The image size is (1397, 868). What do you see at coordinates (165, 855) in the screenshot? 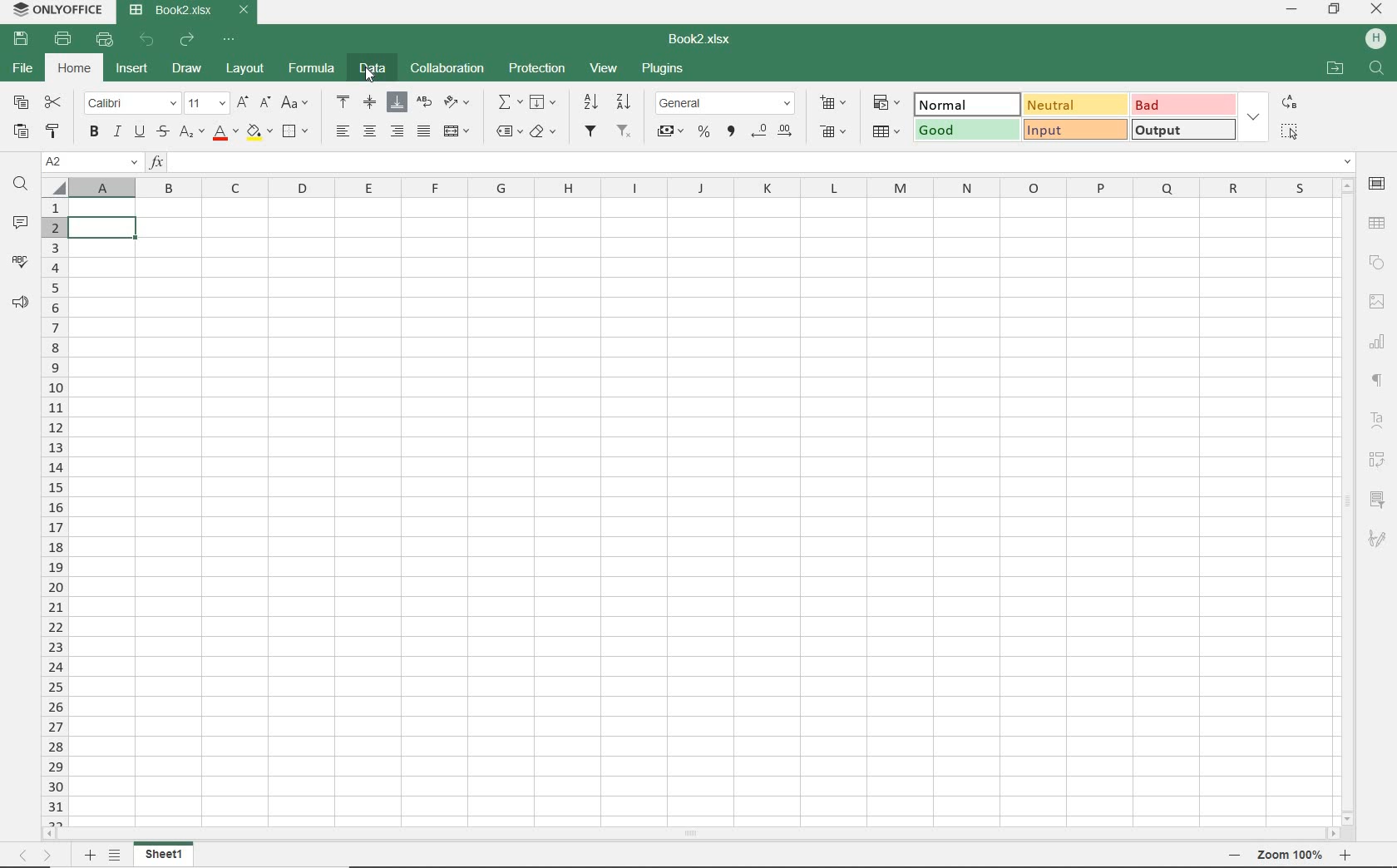
I see `SHEET 1` at bounding box center [165, 855].